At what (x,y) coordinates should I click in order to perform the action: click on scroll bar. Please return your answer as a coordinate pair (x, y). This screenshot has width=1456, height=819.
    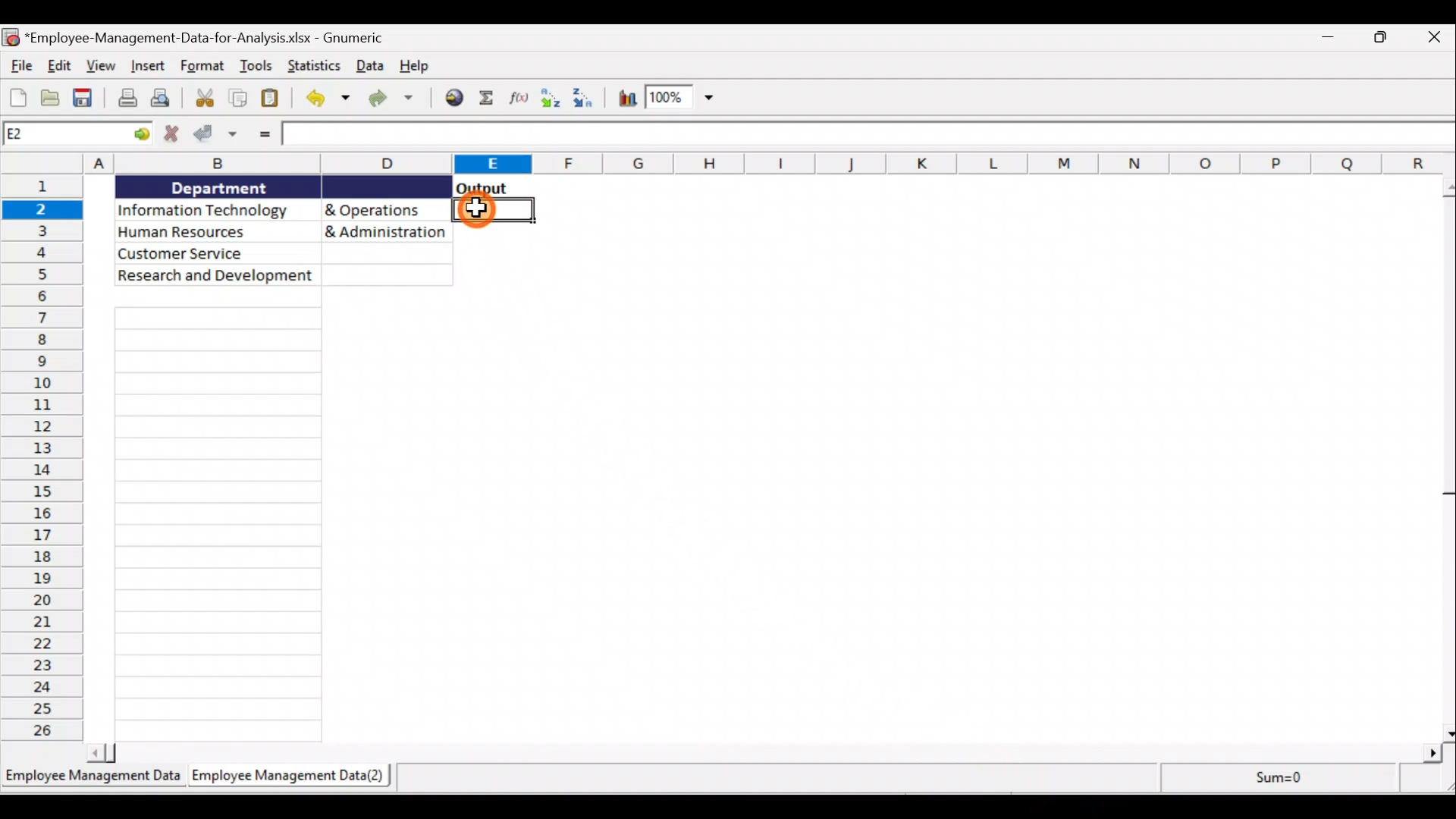
    Looking at the image, I should click on (1444, 457).